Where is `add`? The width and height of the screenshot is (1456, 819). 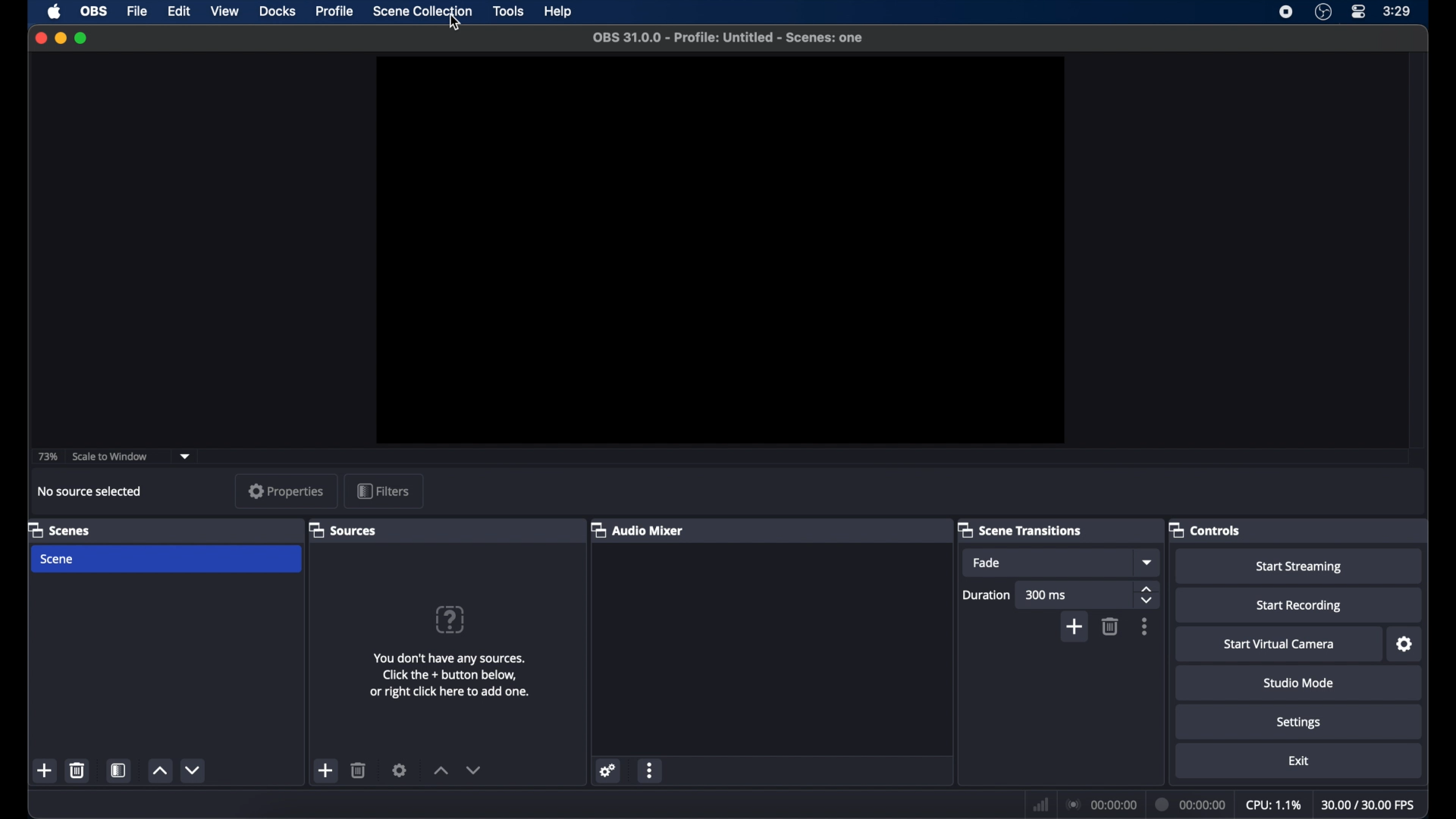 add is located at coordinates (325, 770).